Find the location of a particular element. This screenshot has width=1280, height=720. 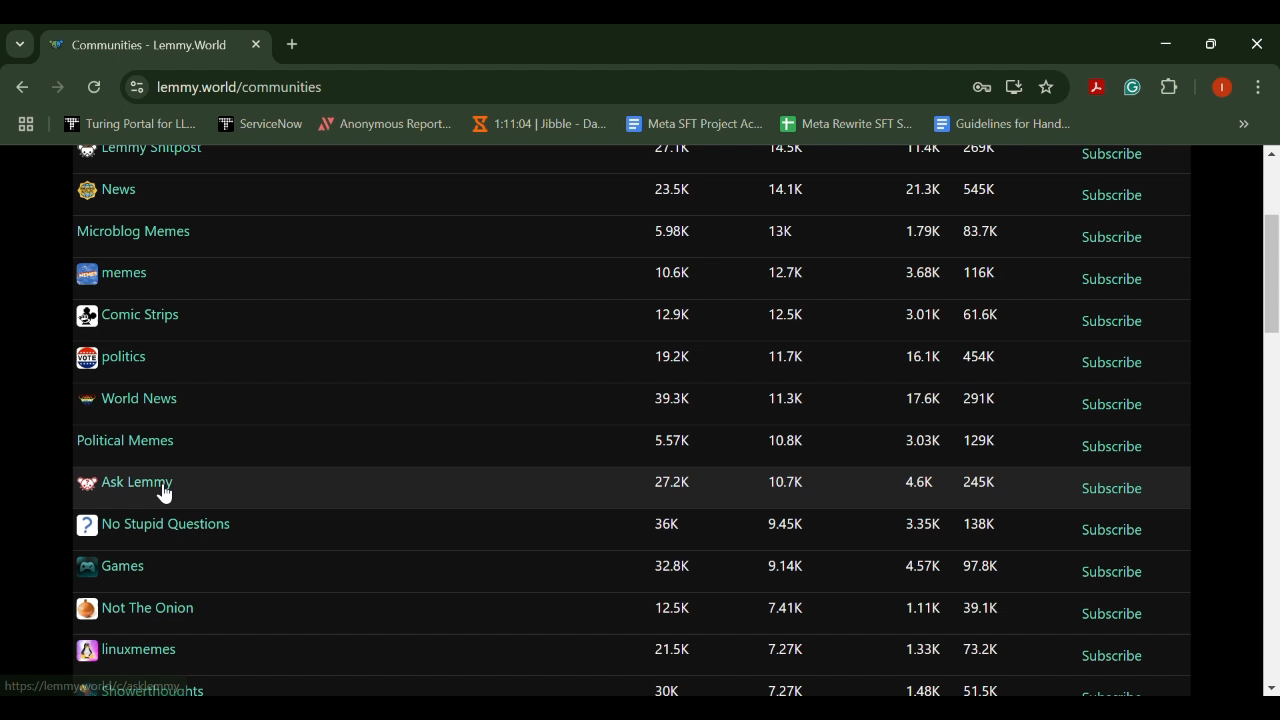

Meta Rewrite SFT S... is located at coordinates (847, 125).